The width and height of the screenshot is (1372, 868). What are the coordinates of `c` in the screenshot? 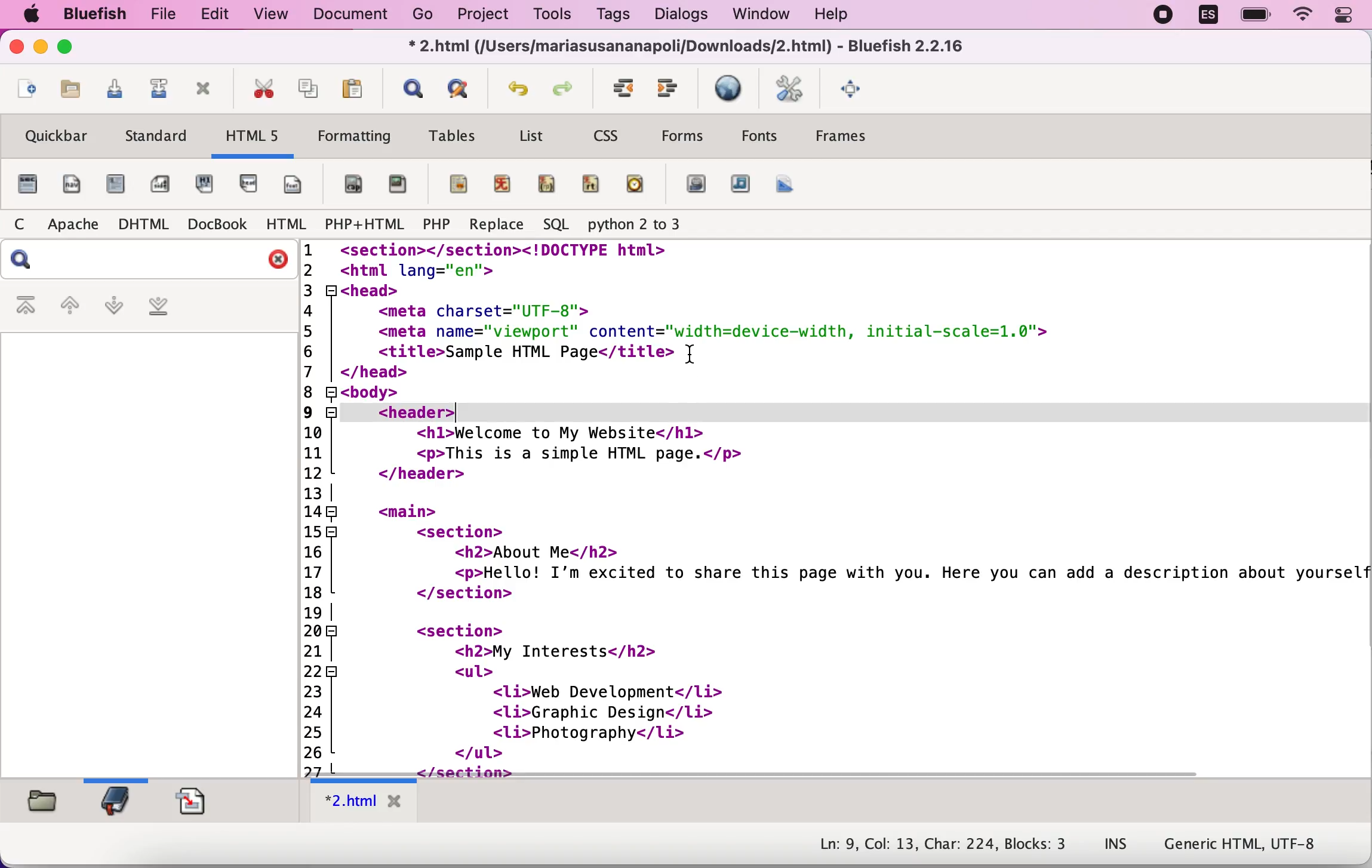 It's located at (26, 224).